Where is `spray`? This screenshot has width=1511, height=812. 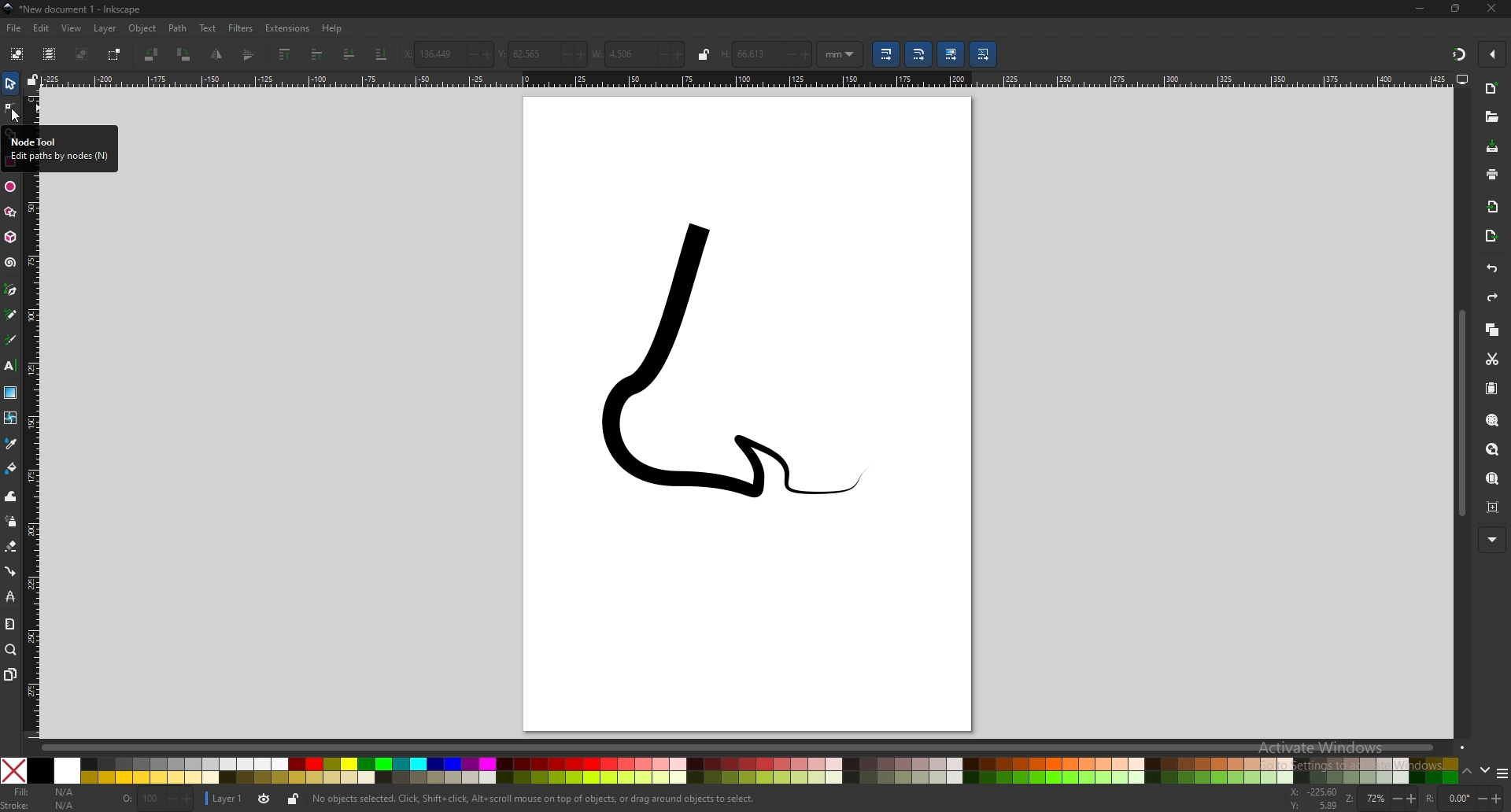 spray is located at coordinates (12, 522).